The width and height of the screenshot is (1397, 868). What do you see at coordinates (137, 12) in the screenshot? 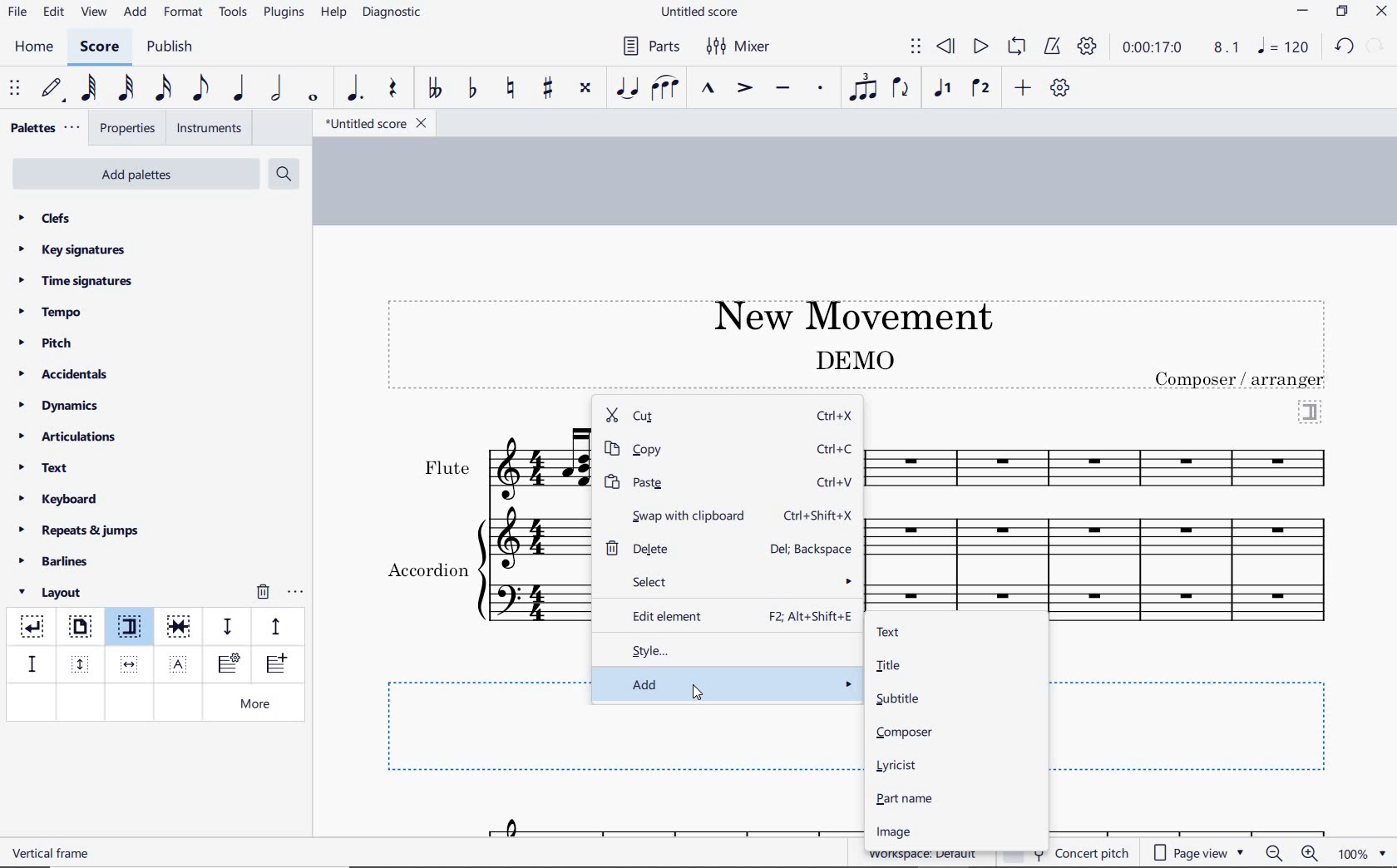
I see `add ` at bounding box center [137, 12].